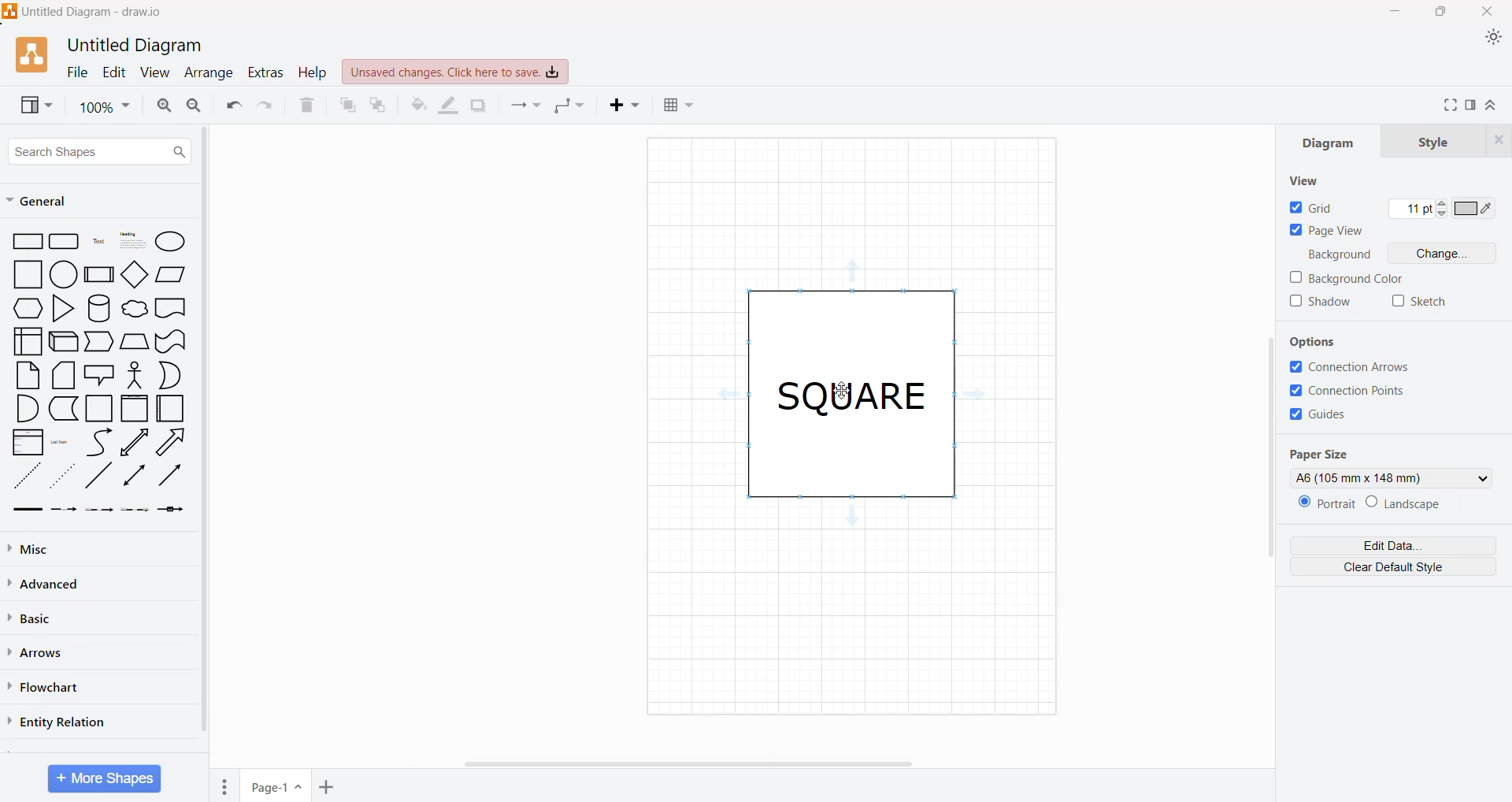  I want to click on Half Circle , so click(171, 375).